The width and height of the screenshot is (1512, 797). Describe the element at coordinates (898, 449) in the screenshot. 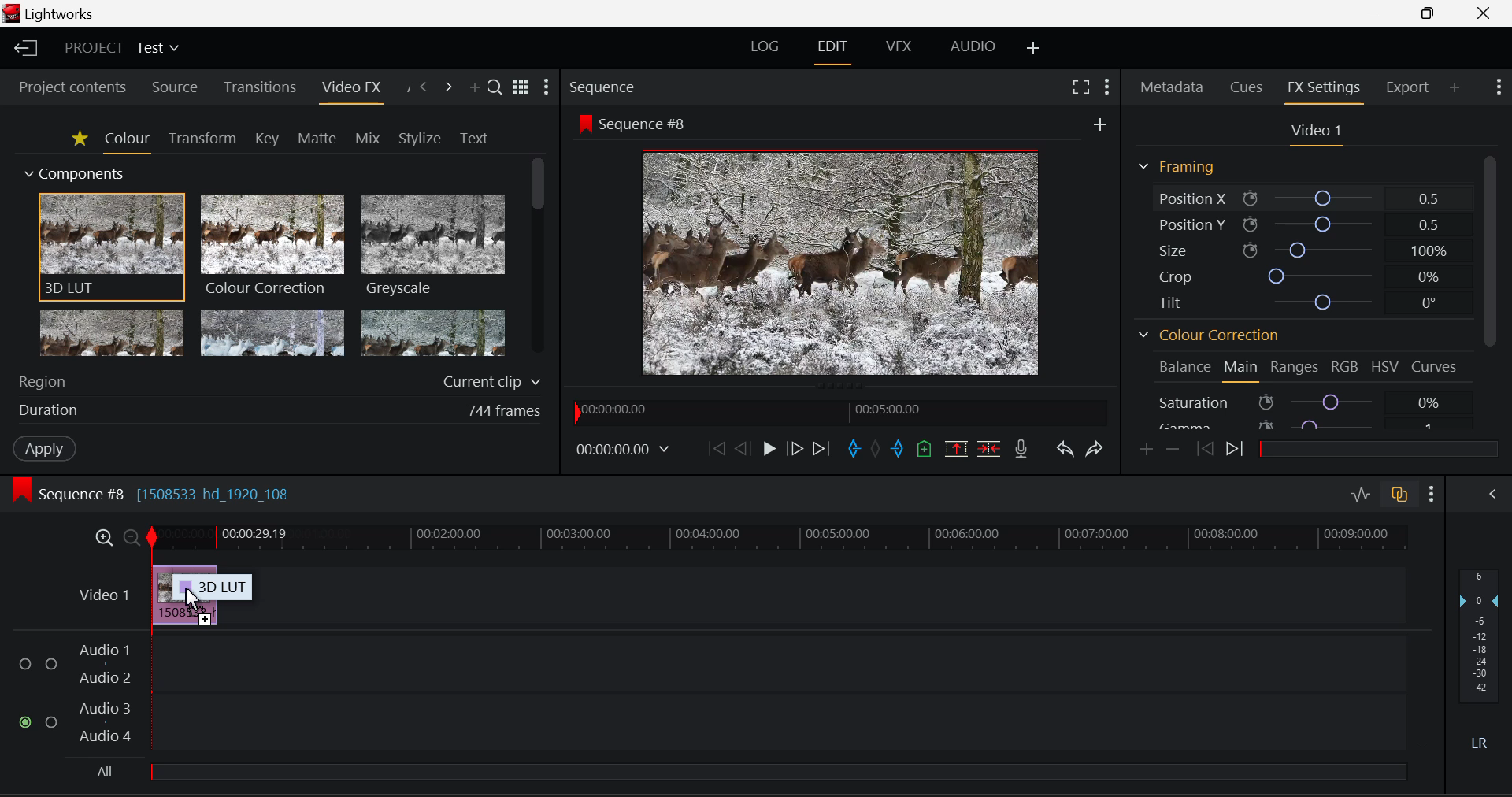

I see `Mark Out` at that location.